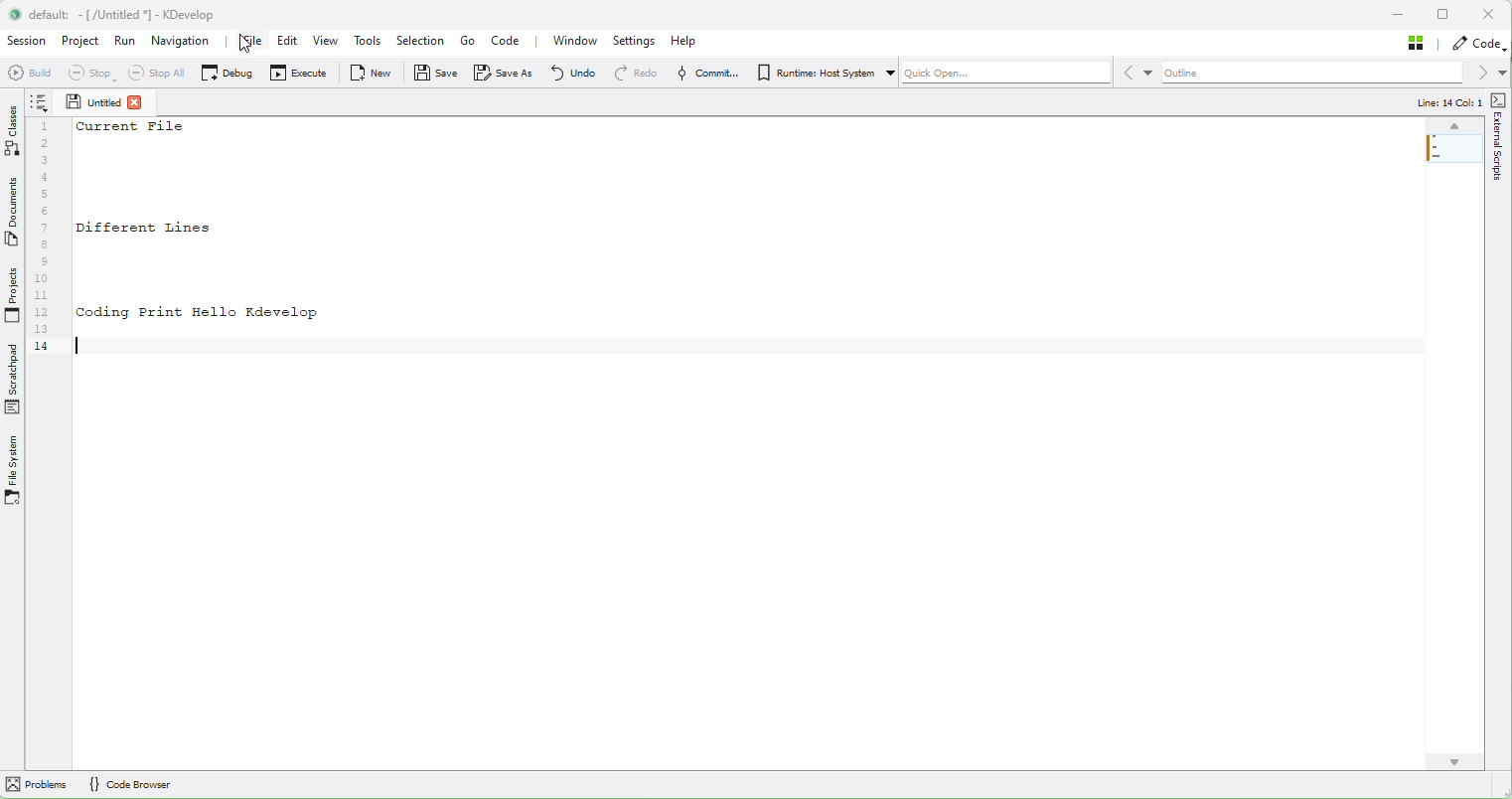 The width and height of the screenshot is (1512, 799). What do you see at coordinates (1487, 15) in the screenshot?
I see `Close` at bounding box center [1487, 15].